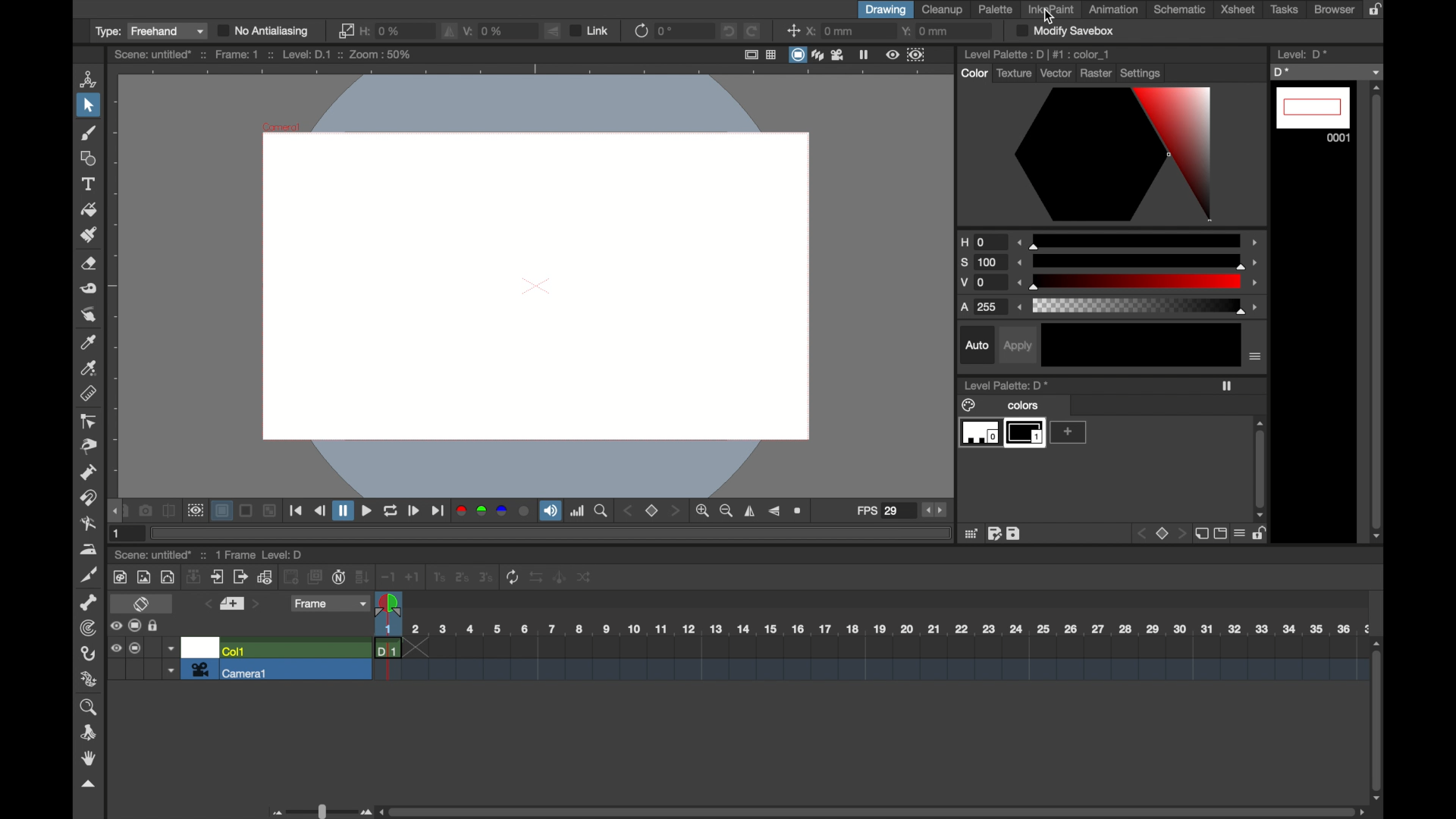 The width and height of the screenshot is (1456, 819). I want to click on playhead, so click(388, 604).